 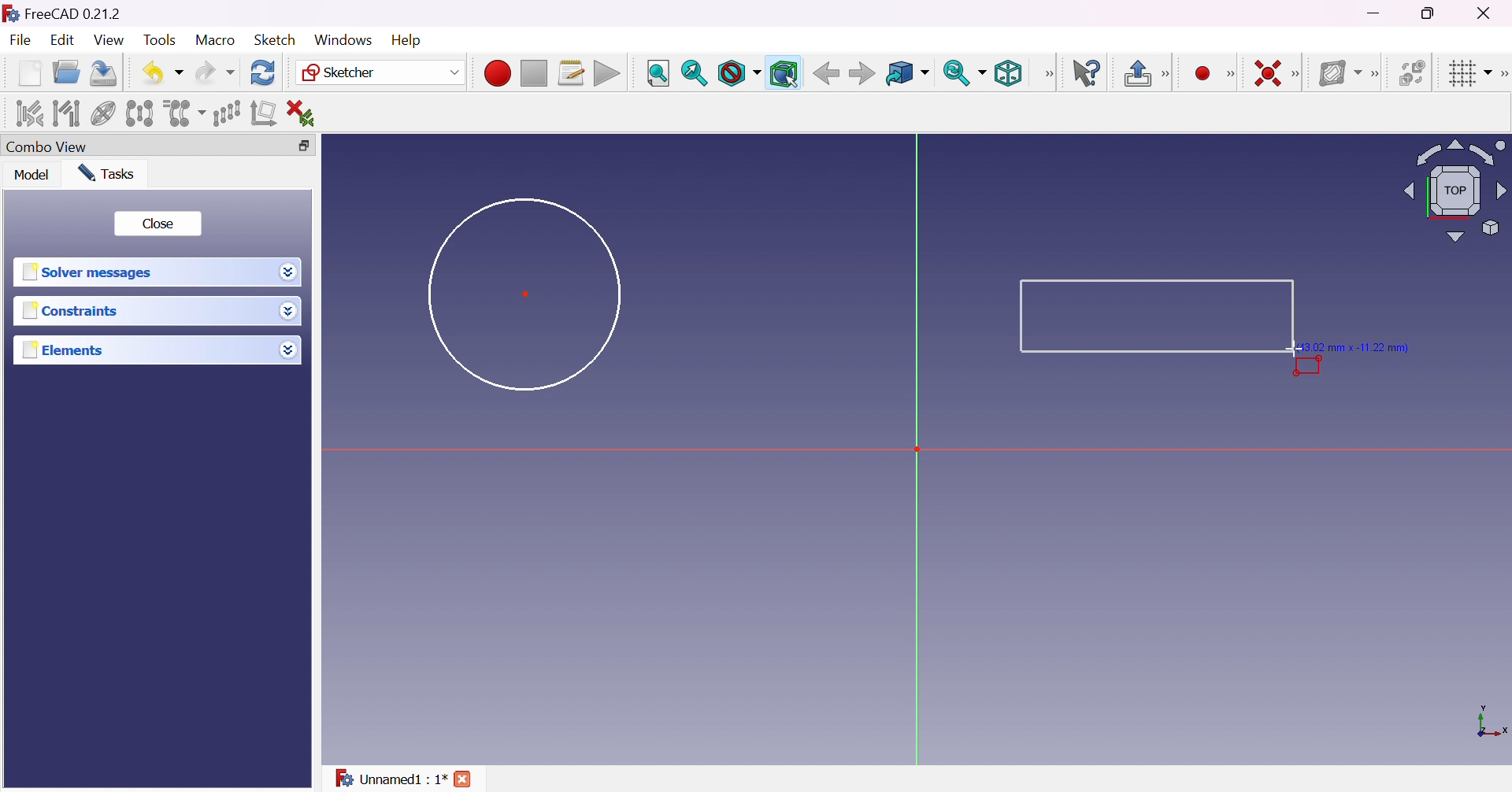 I want to click on File, so click(x=22, y=42).